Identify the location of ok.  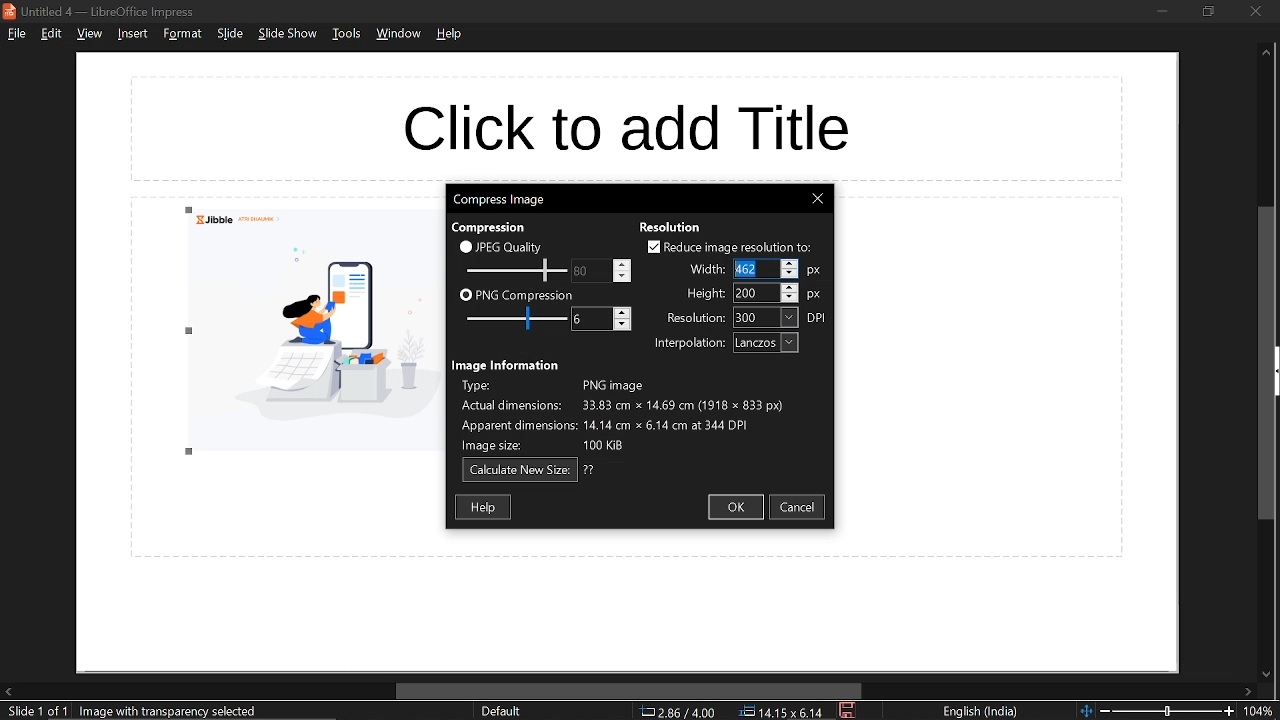
(735, 507).